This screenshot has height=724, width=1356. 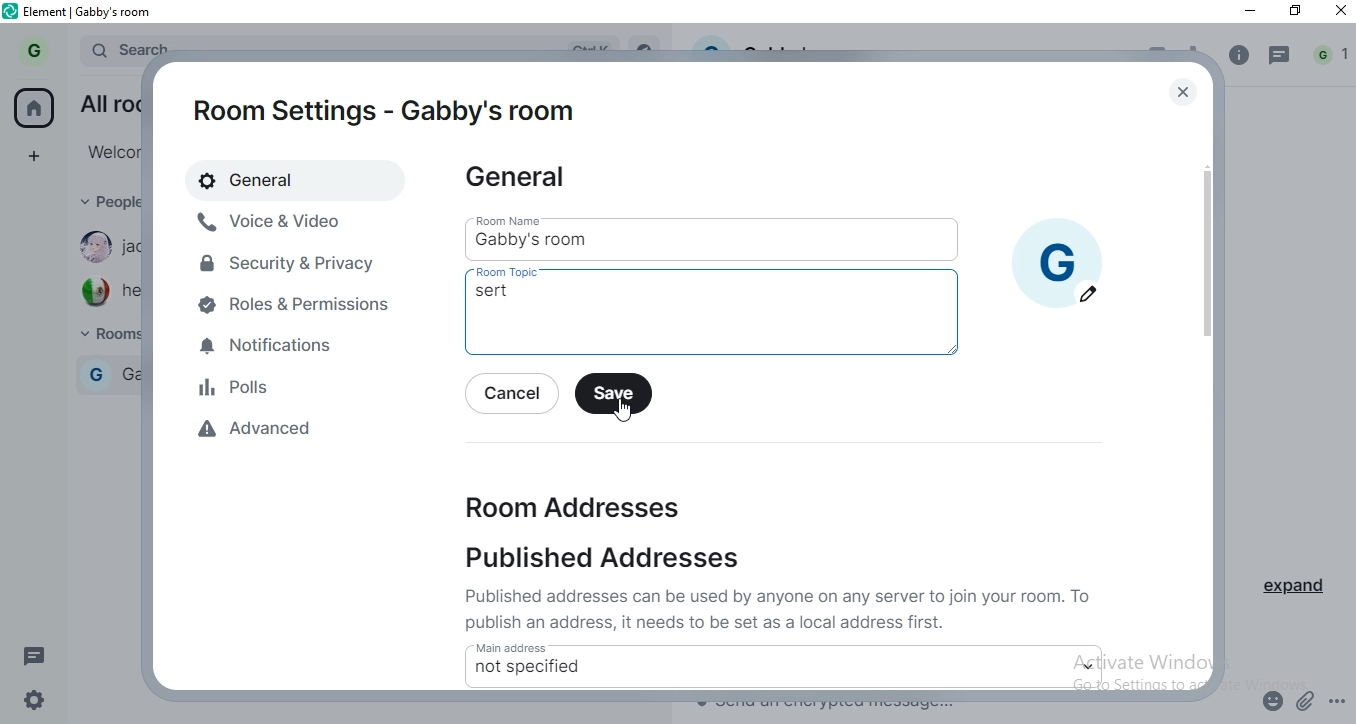 What do you see at coordinates (1282, 57) in the screenshot?
I see `message` at bounding box center [1282, 57].